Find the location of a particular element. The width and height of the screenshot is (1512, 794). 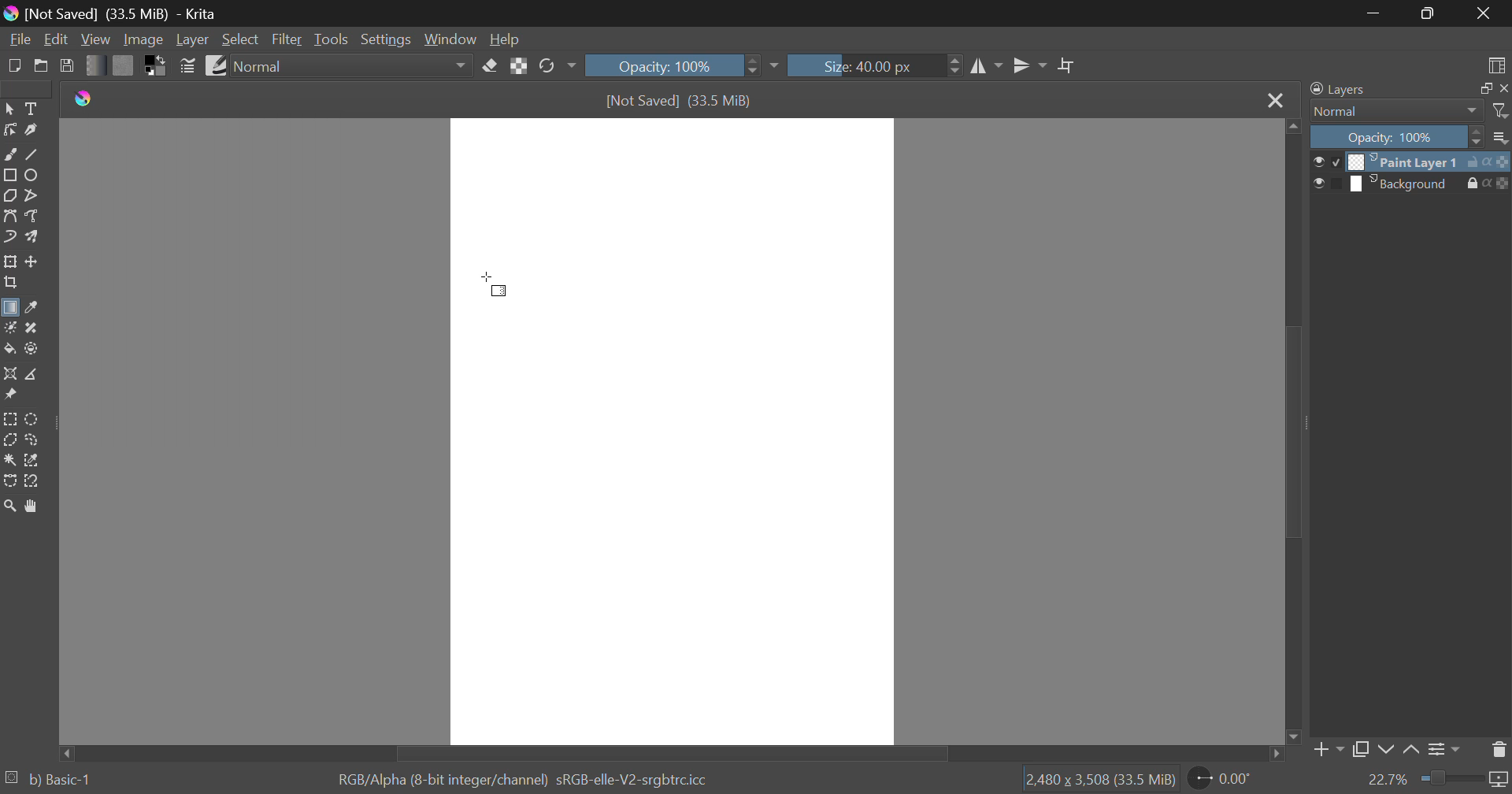

Opacity: 100% is located at coordinates (680, 65).